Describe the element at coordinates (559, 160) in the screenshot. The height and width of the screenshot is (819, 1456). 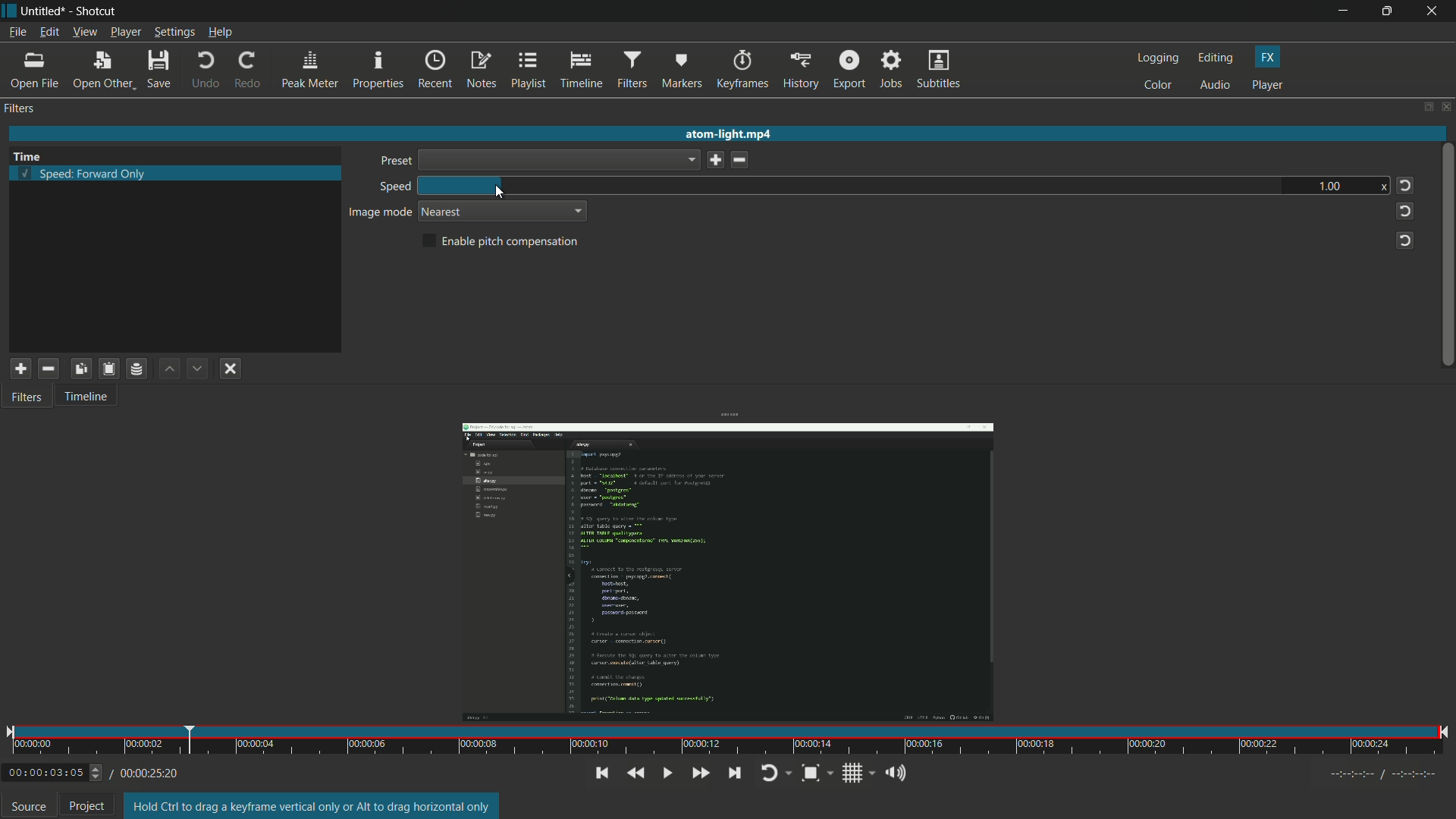
I see `dropdown` at that location.